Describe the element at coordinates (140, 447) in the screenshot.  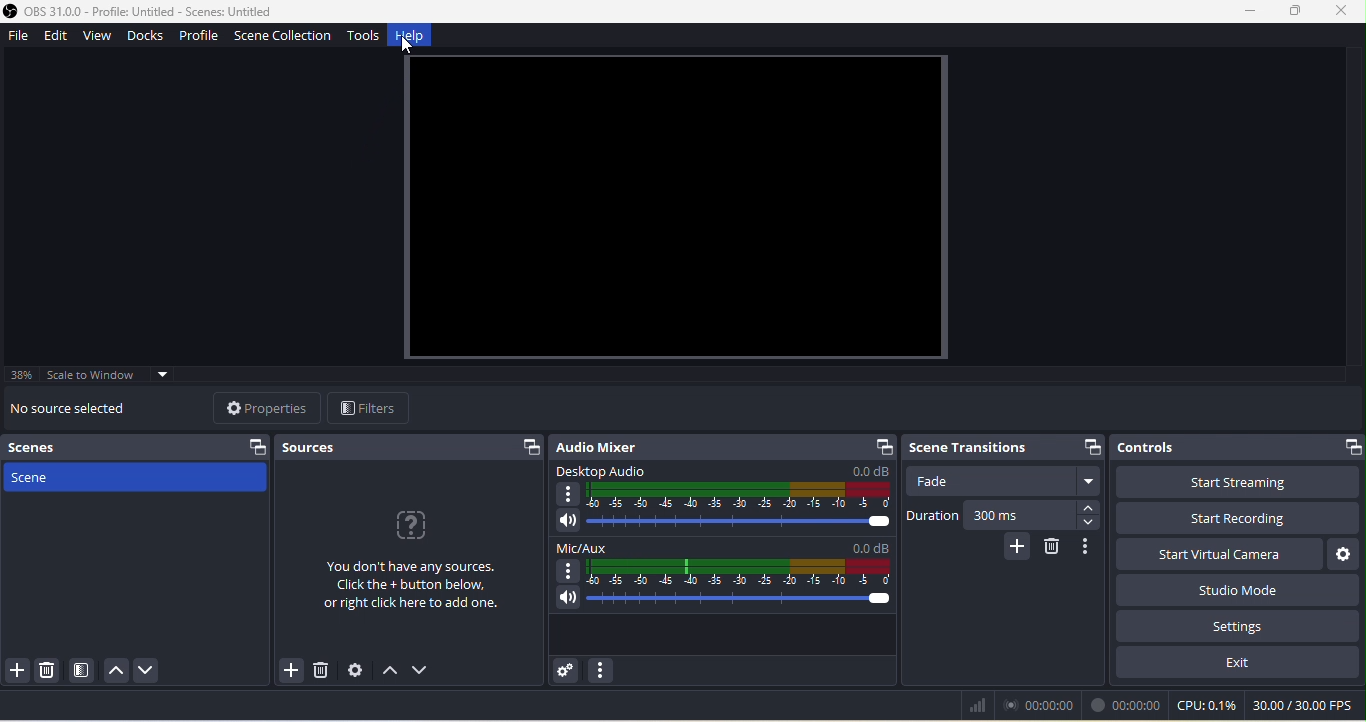
I see `scenes` at that location.